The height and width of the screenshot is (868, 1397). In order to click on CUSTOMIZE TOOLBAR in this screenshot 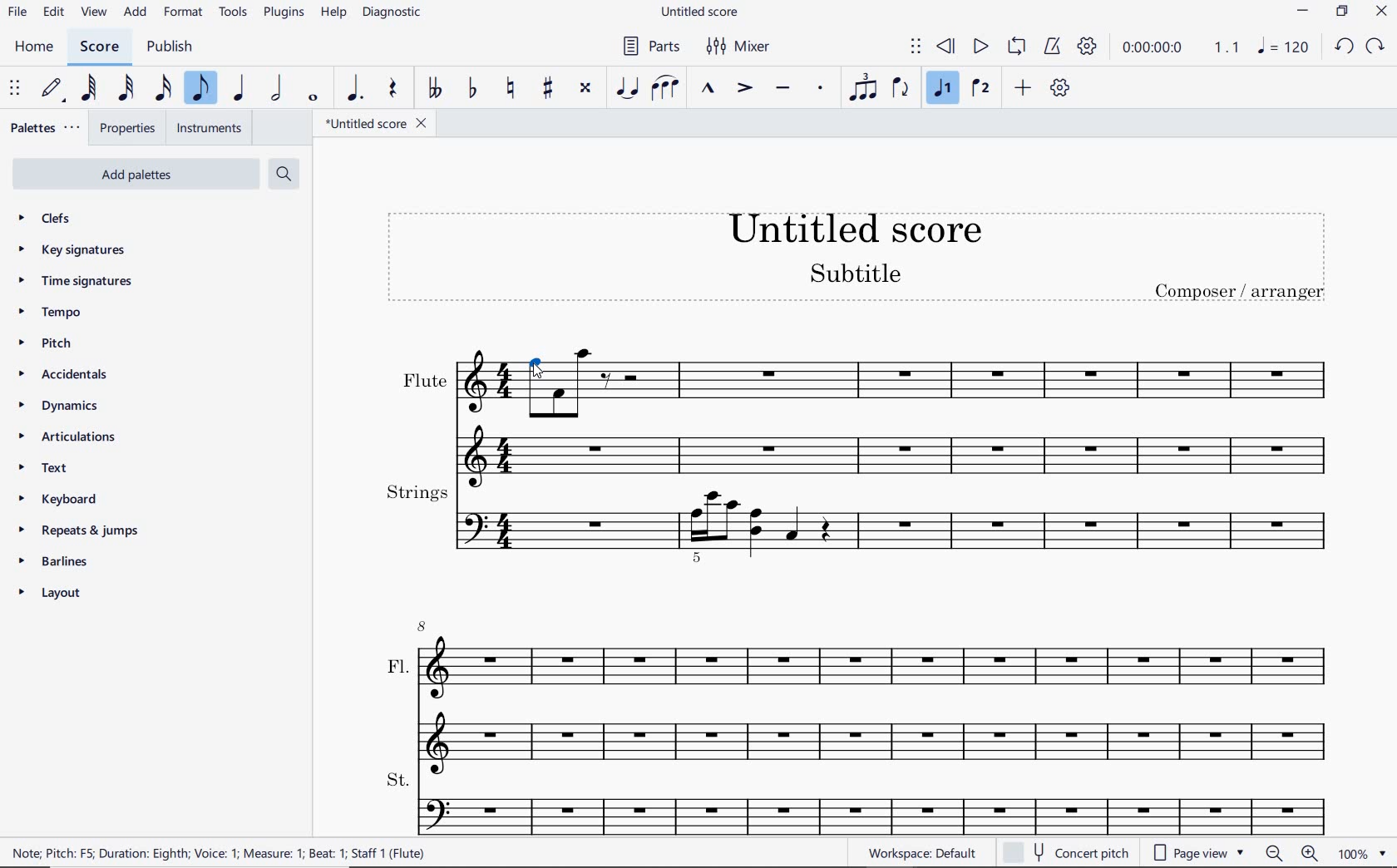, I will do `click(1063, 88)`.